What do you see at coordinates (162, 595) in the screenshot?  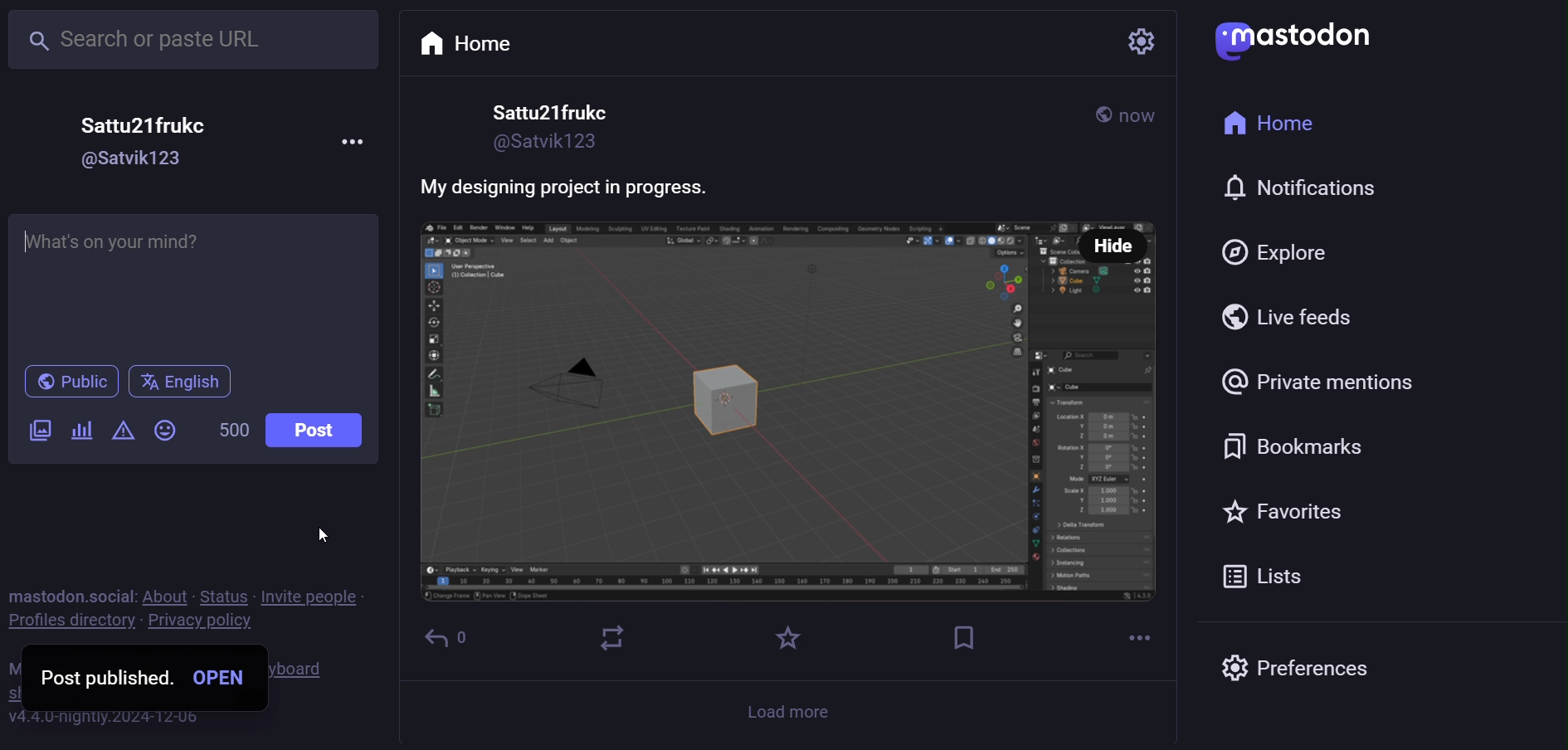 I see `about` at bounding box center [162, 595].